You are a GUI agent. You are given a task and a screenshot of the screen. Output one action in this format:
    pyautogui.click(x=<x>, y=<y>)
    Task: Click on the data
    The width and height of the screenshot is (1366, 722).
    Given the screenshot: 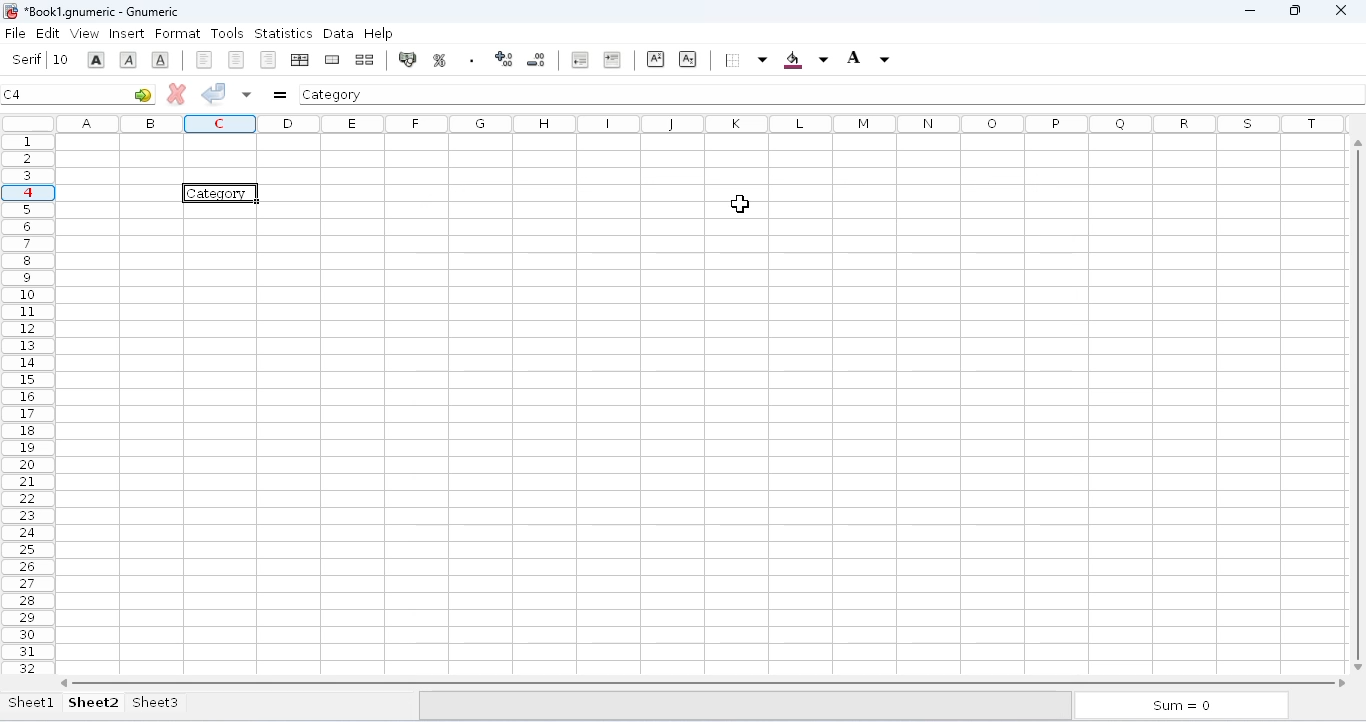 What is the action you would take?
    pyautogui.click(x=338, y=33)
    